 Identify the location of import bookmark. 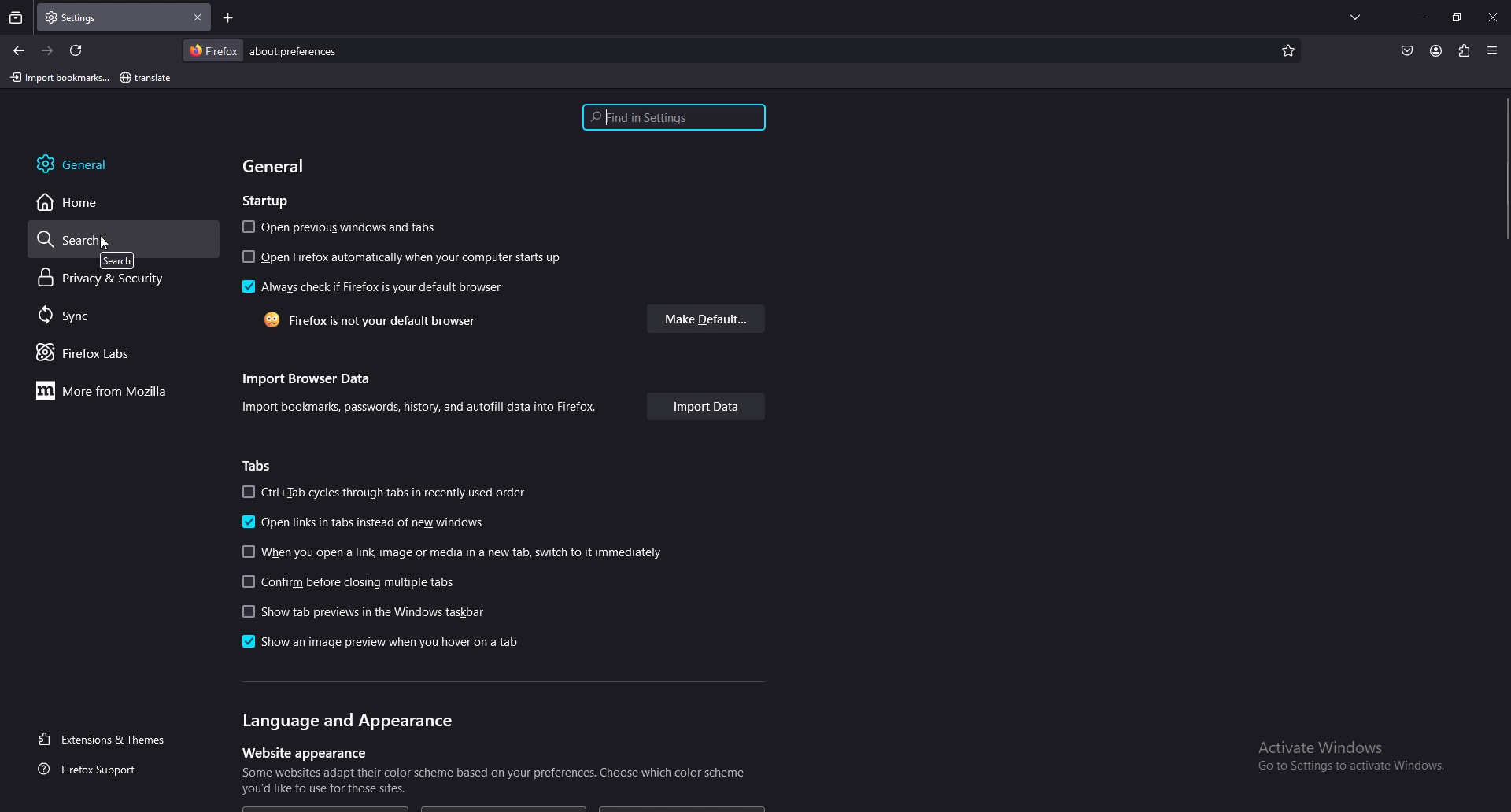
(58, 77).